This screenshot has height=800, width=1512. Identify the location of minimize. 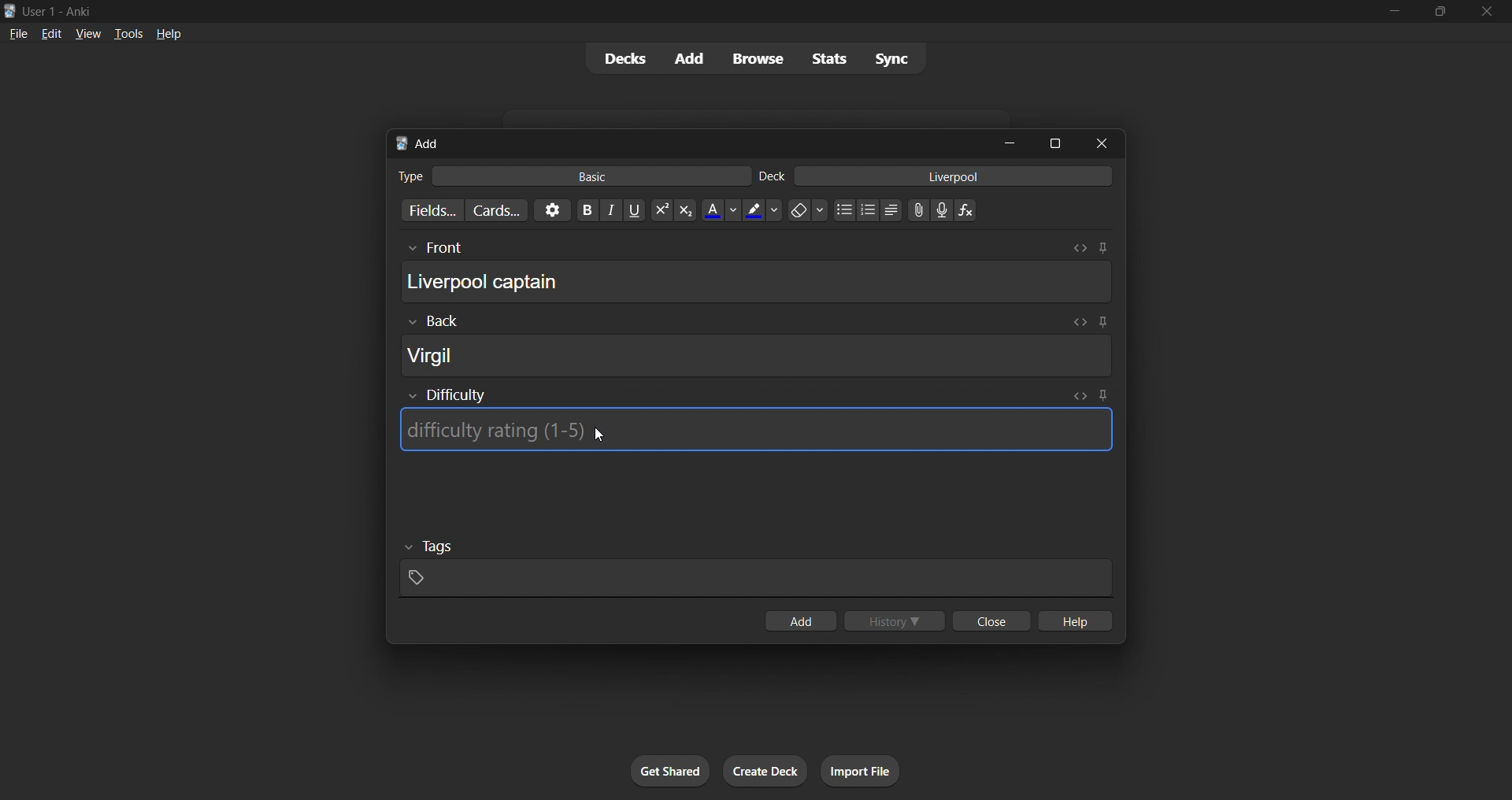
(1394, 12).